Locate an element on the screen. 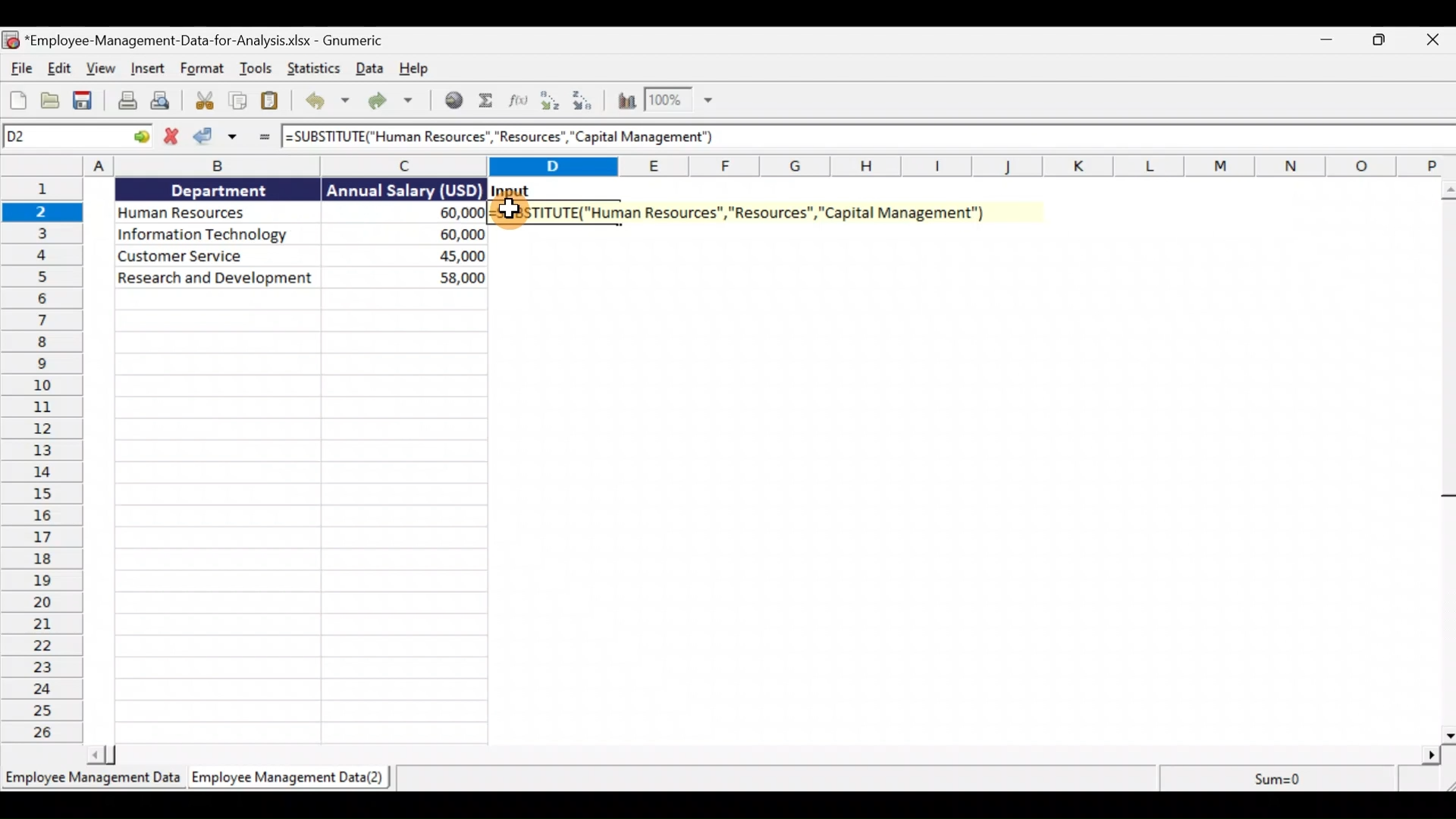 This screenshot has width=1456, height=819. Cut the selection is located at coordinates (204, 102).